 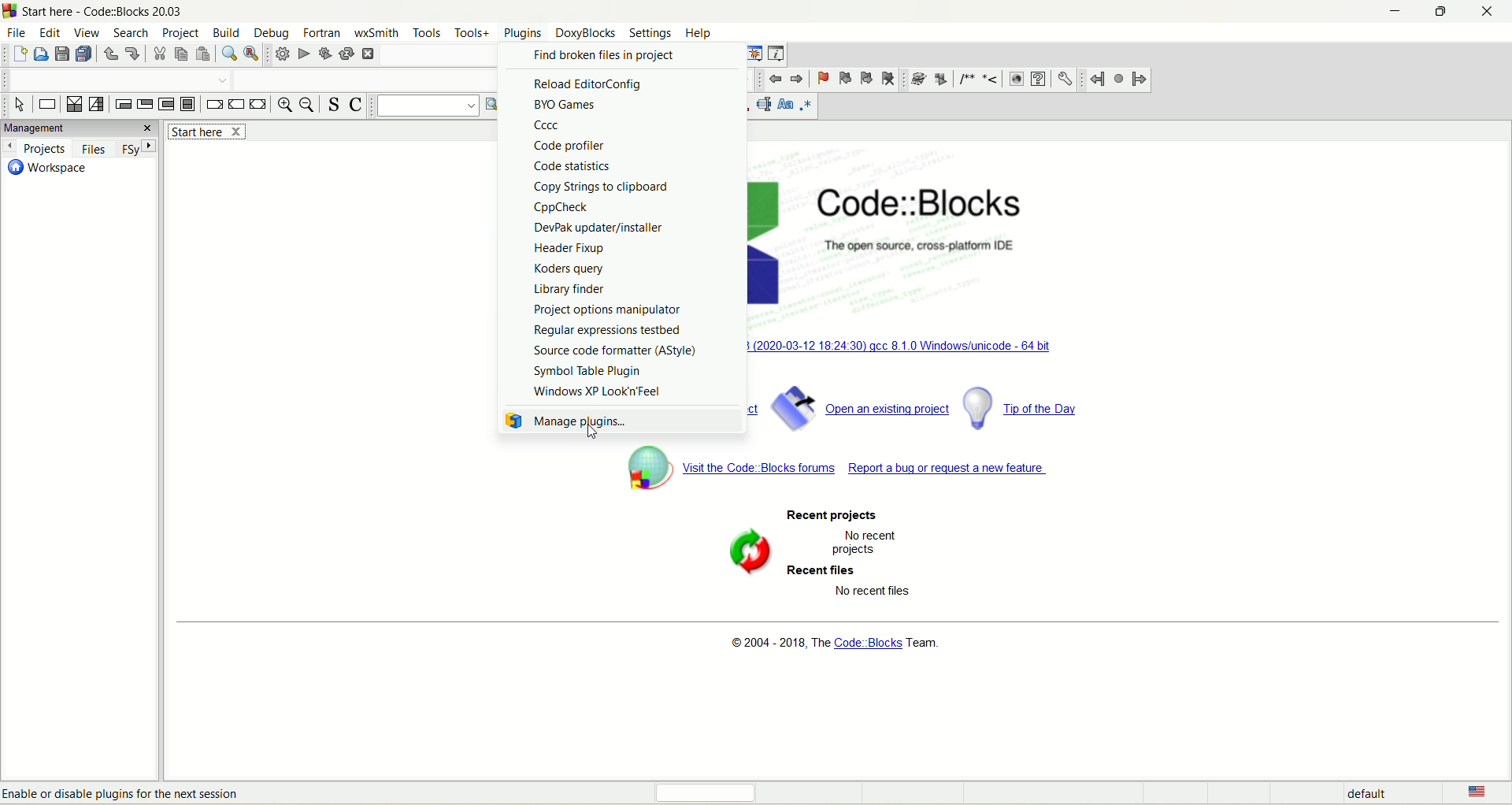 I want to click on zoom in, so click(x=283, y=105).